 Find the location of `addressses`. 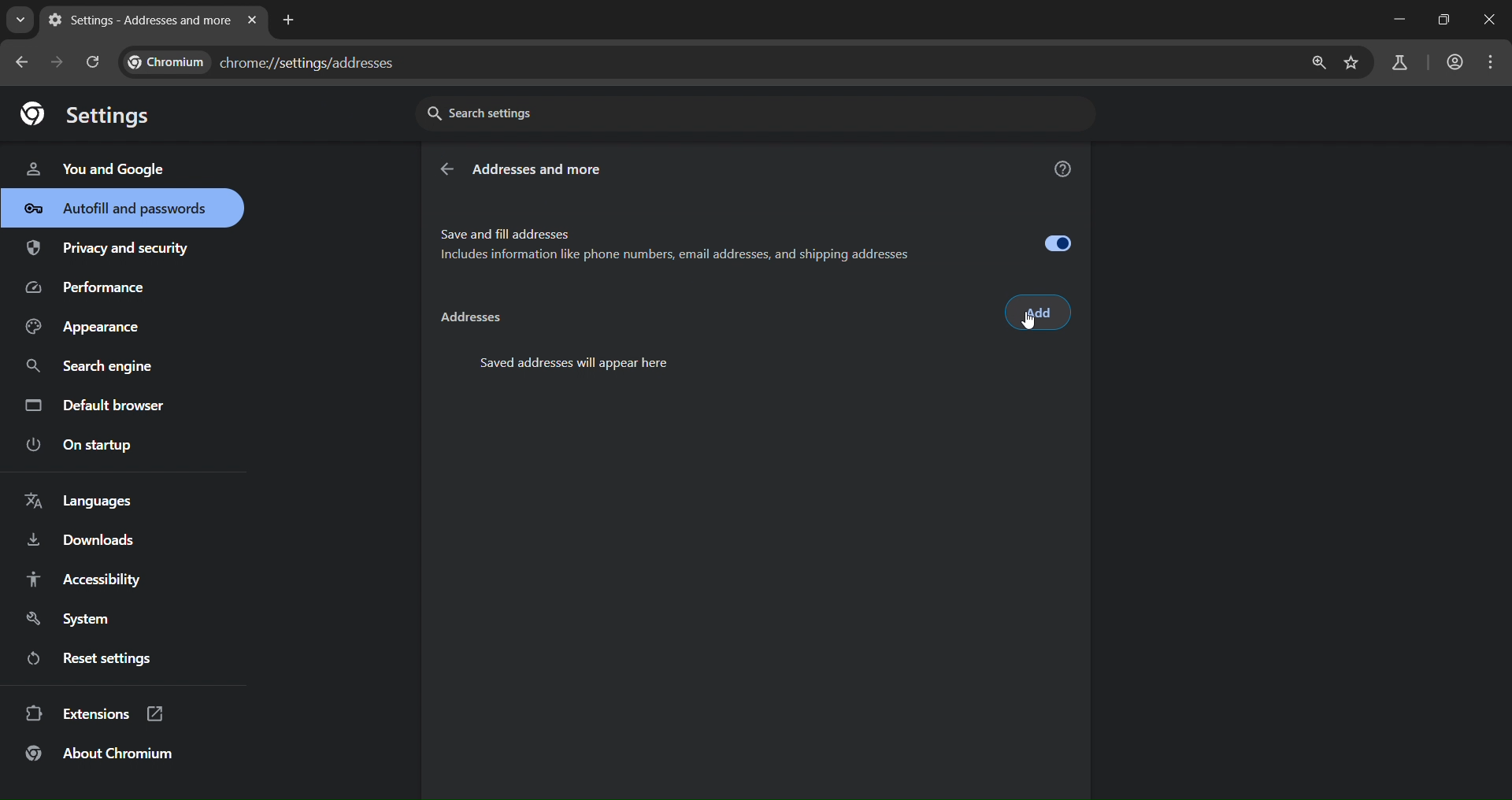

addressses is located at coordinates (469, 320).